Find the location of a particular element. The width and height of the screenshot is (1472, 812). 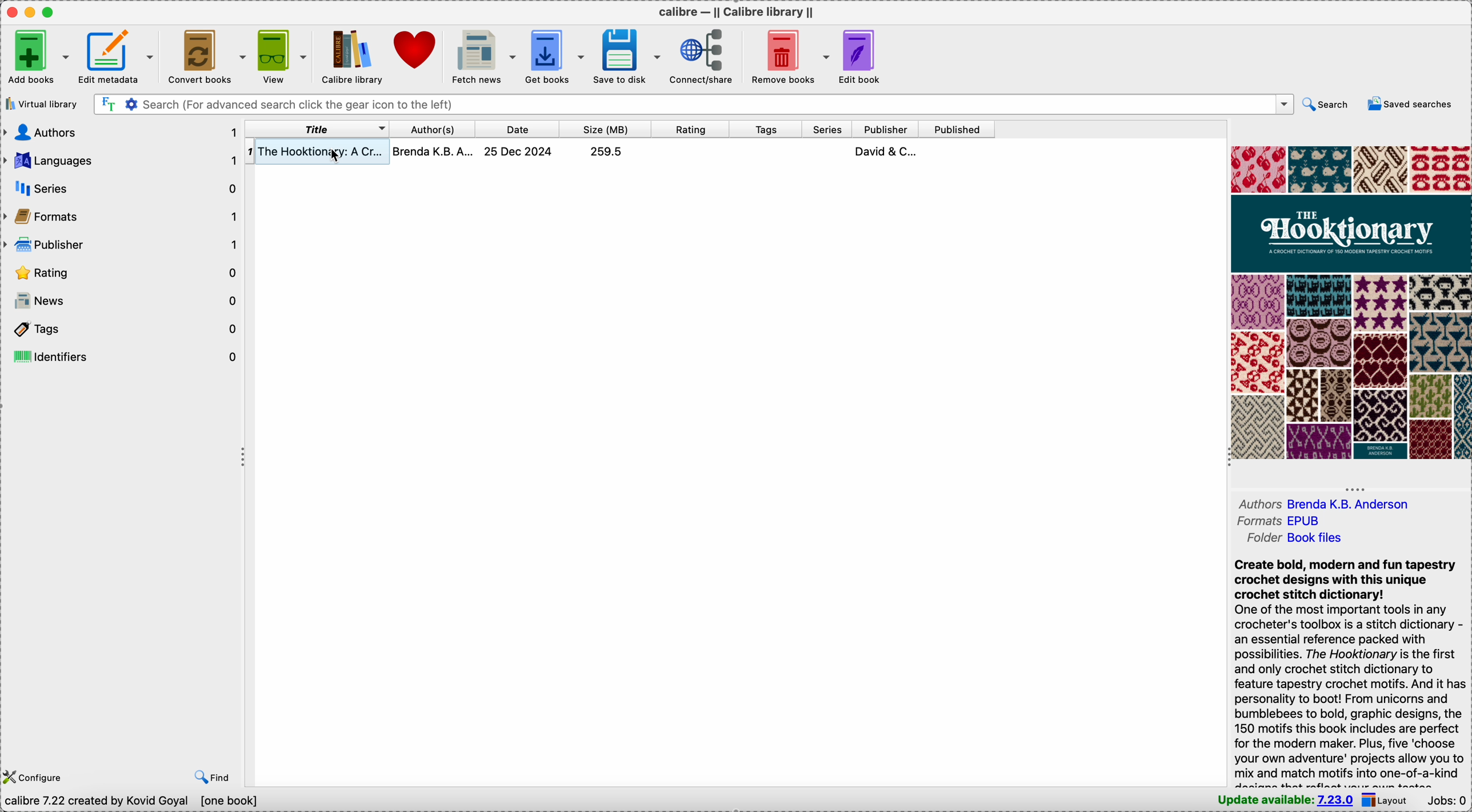

convert books is located at coordinates (205, 56).